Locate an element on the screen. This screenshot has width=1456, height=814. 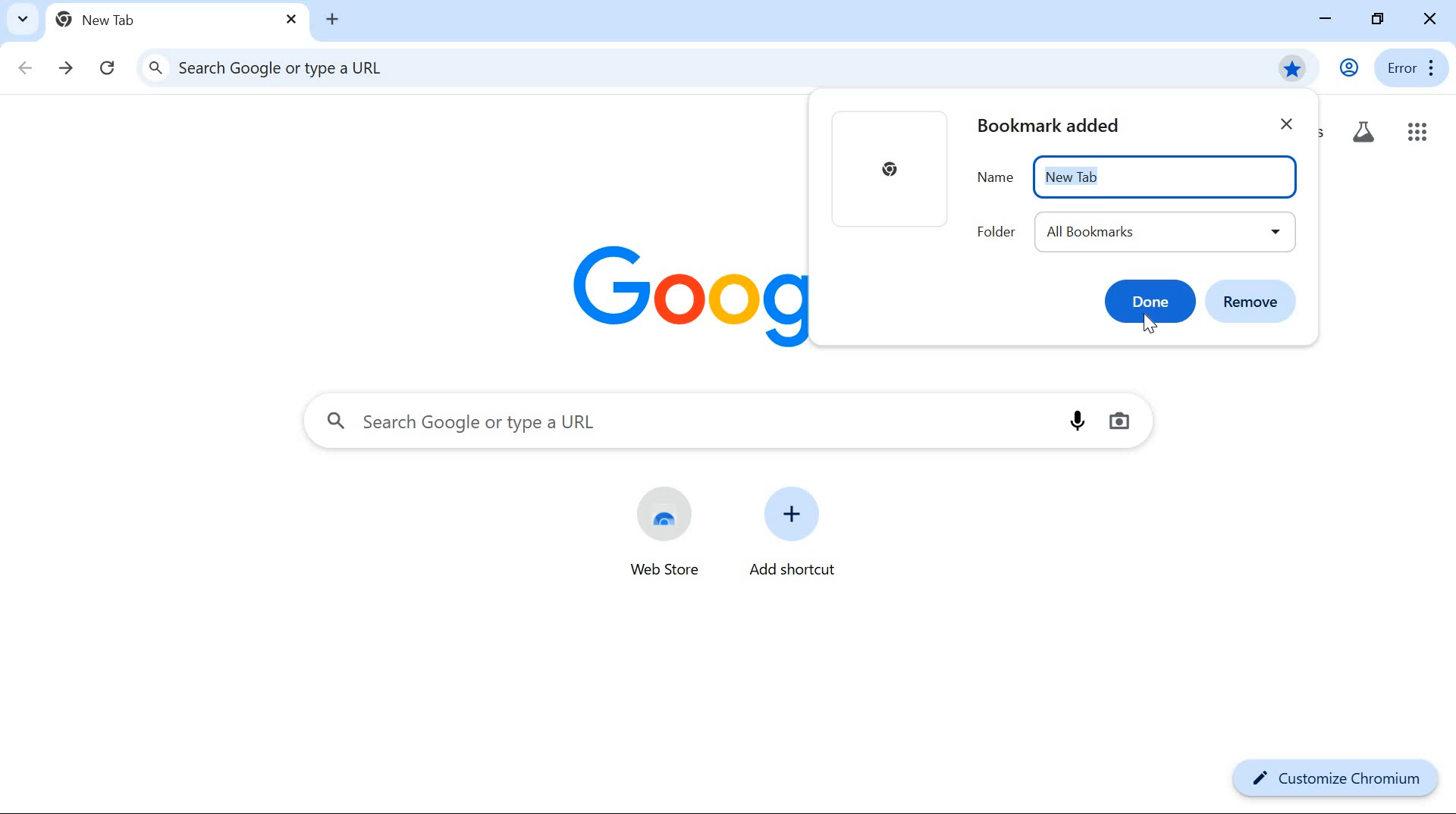
google apps is located at coordinates (1417, 133).